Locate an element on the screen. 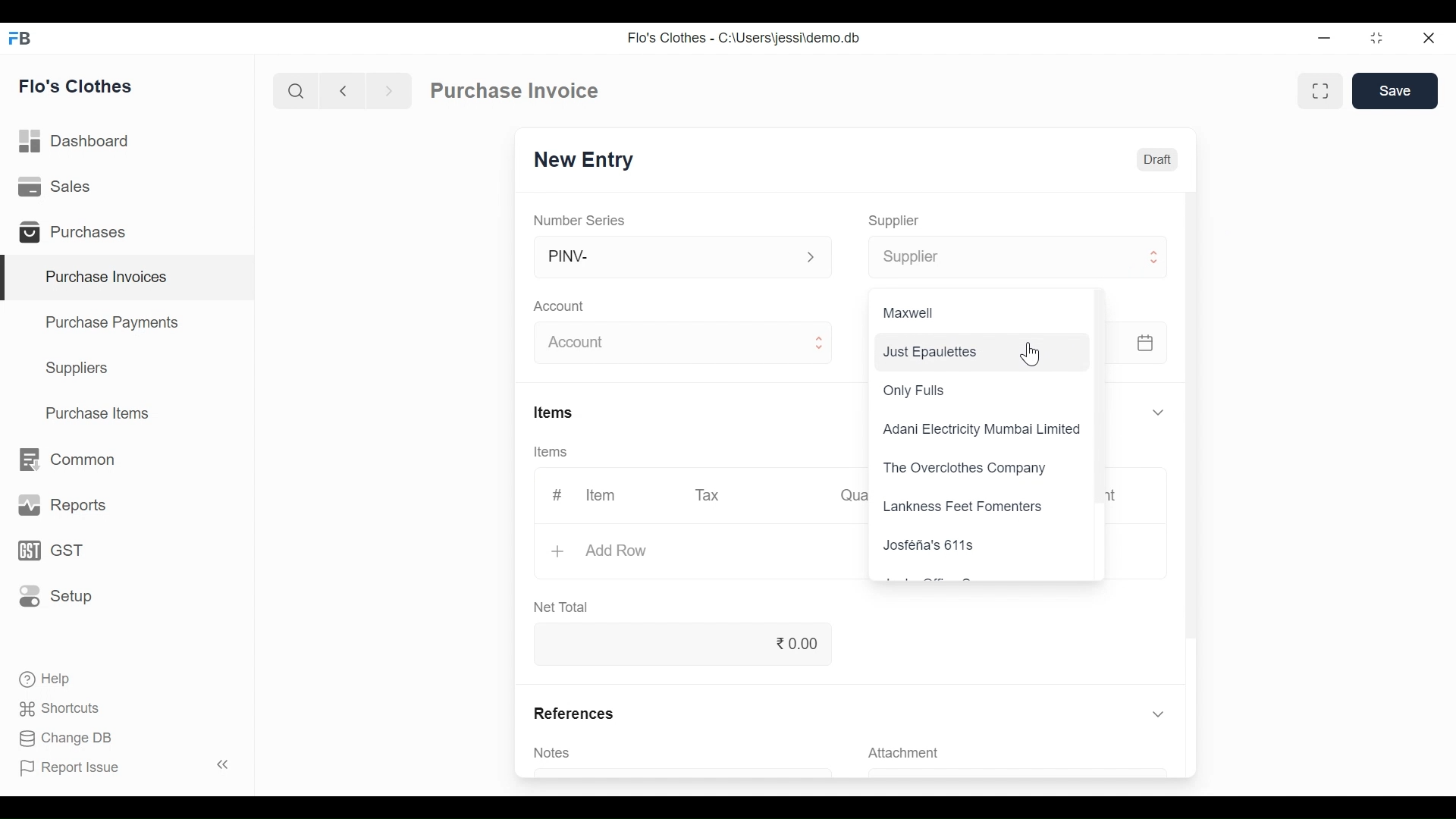 Image resolution: width=1456 pixels, height=819 pixels. Account is located at coordinates (669, 342).